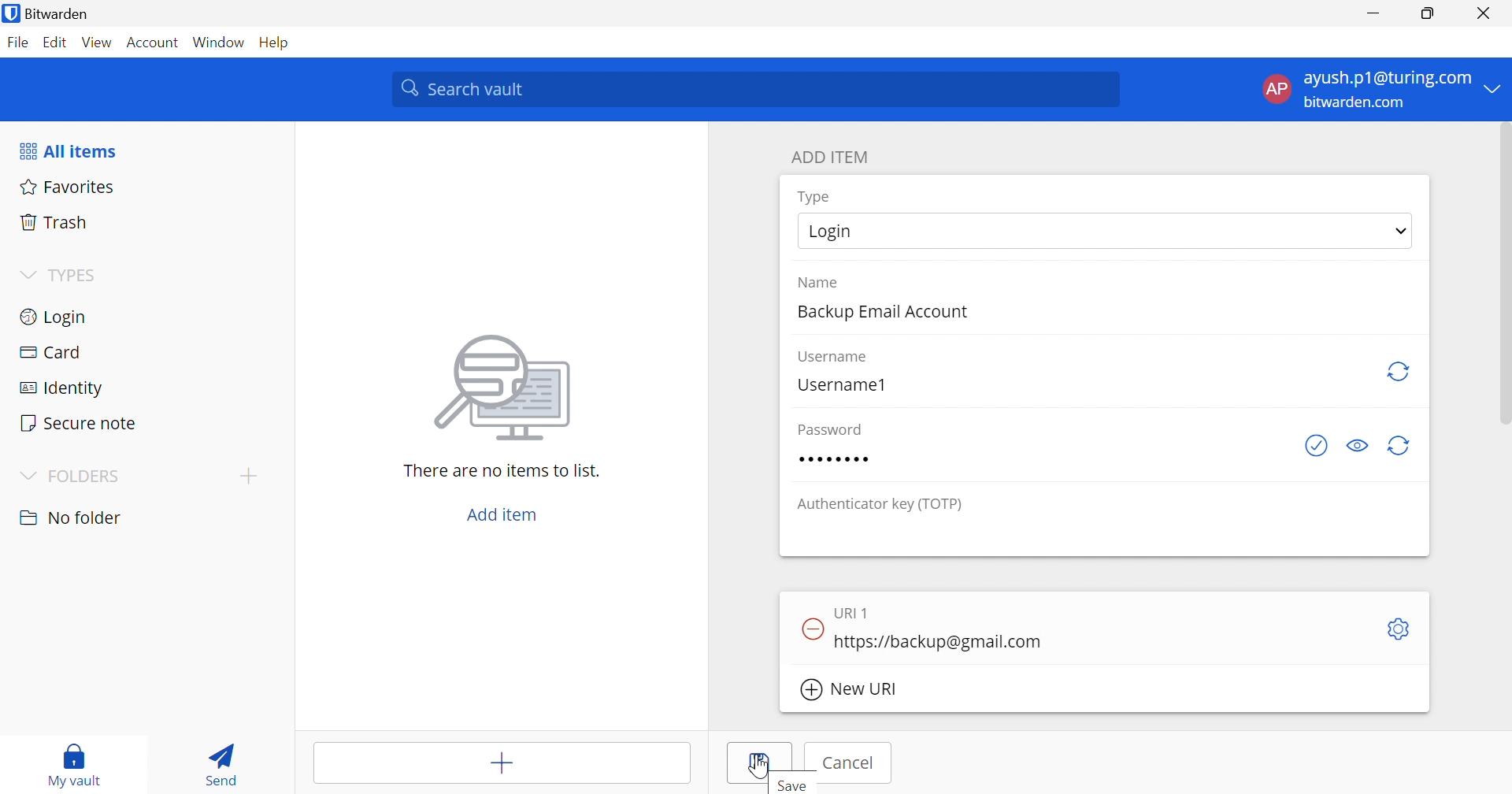 The image size is (1512, 794). I want to click on Card, so click(50, 354).